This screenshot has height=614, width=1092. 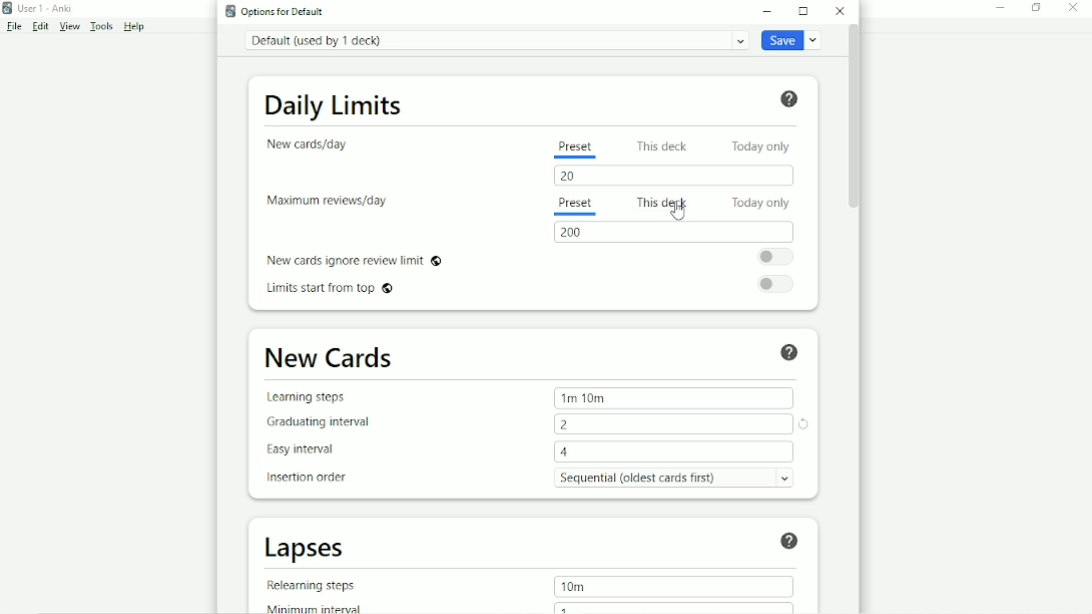 What do you see at coordinates (794, 41) in the screenshot?
I see `Save` at bounding box center [794, 41].